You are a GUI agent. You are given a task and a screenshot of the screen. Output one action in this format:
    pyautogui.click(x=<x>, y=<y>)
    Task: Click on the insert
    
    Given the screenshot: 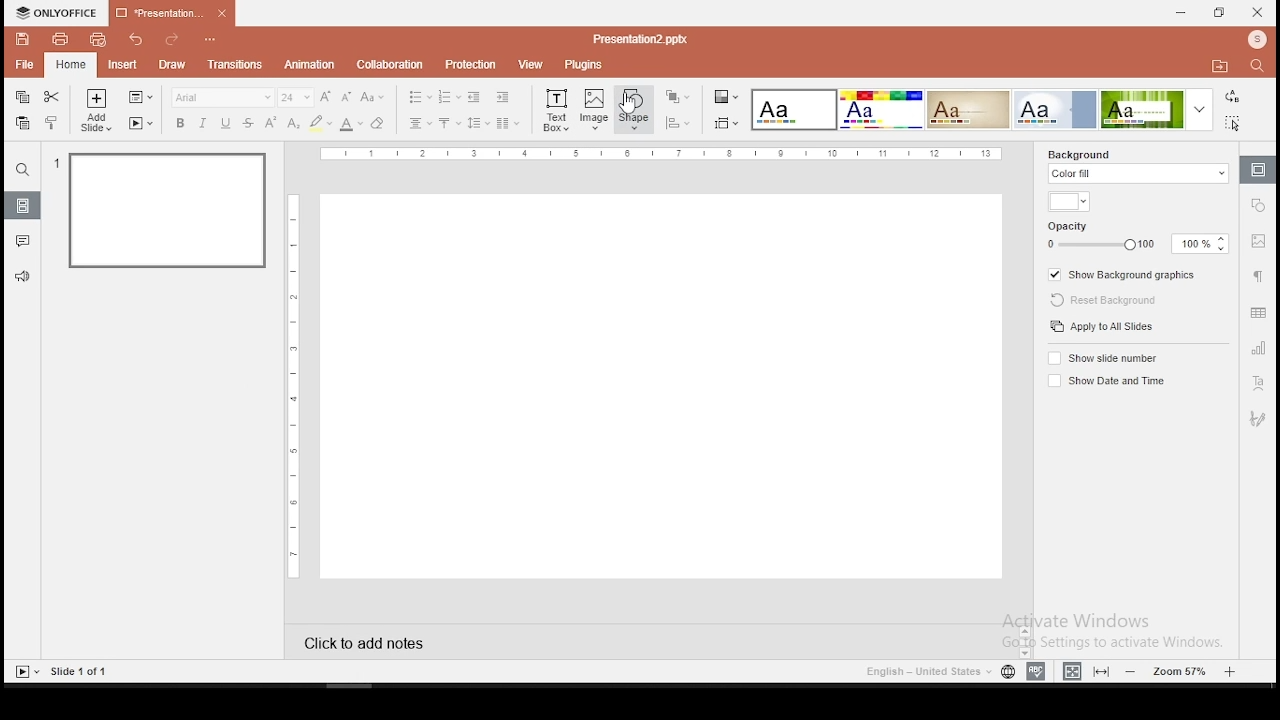 What is the action you would take?
    pyautogui.click(x=121, y=63)
    